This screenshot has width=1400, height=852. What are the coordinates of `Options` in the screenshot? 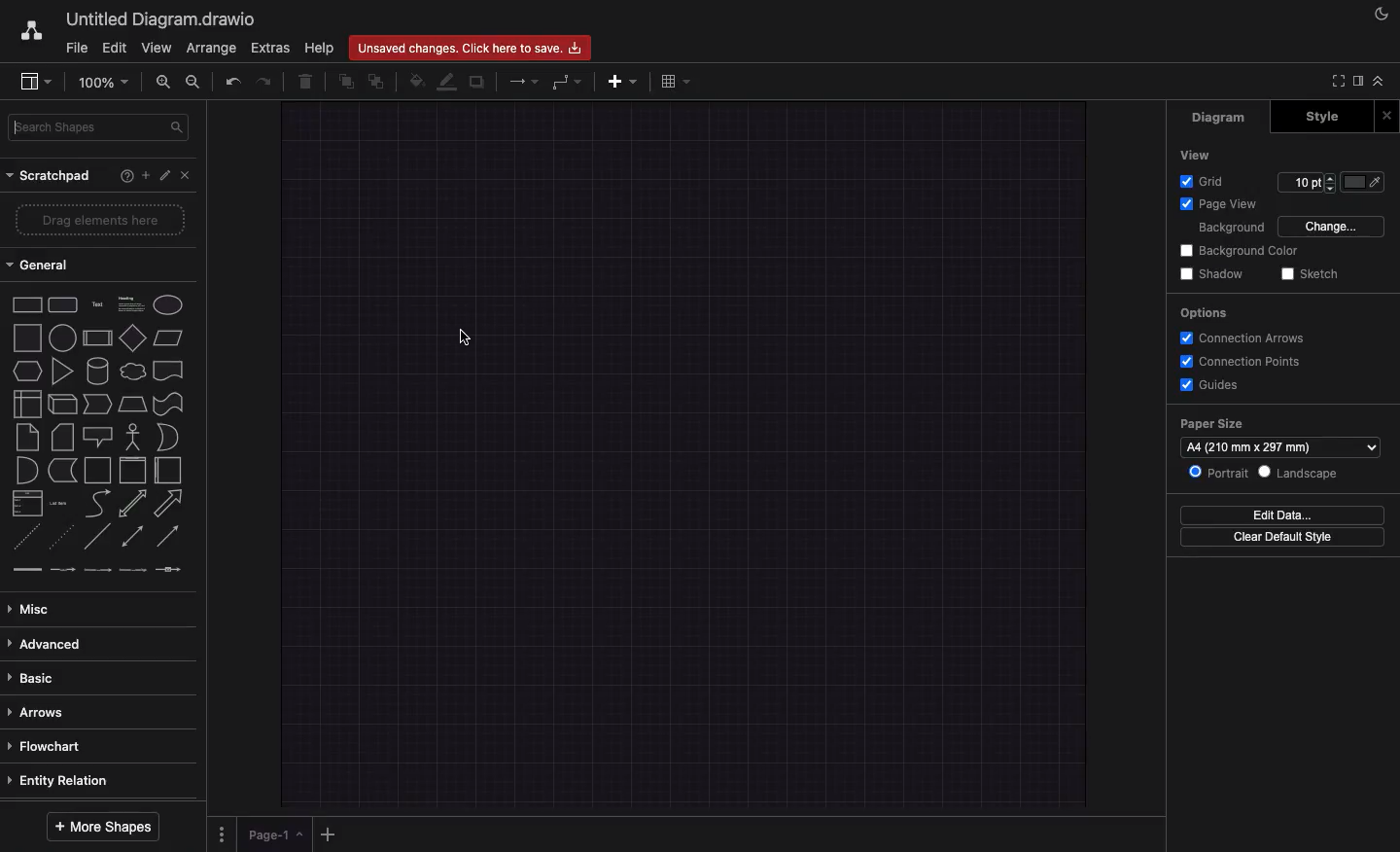 It's located at (1207, 313).